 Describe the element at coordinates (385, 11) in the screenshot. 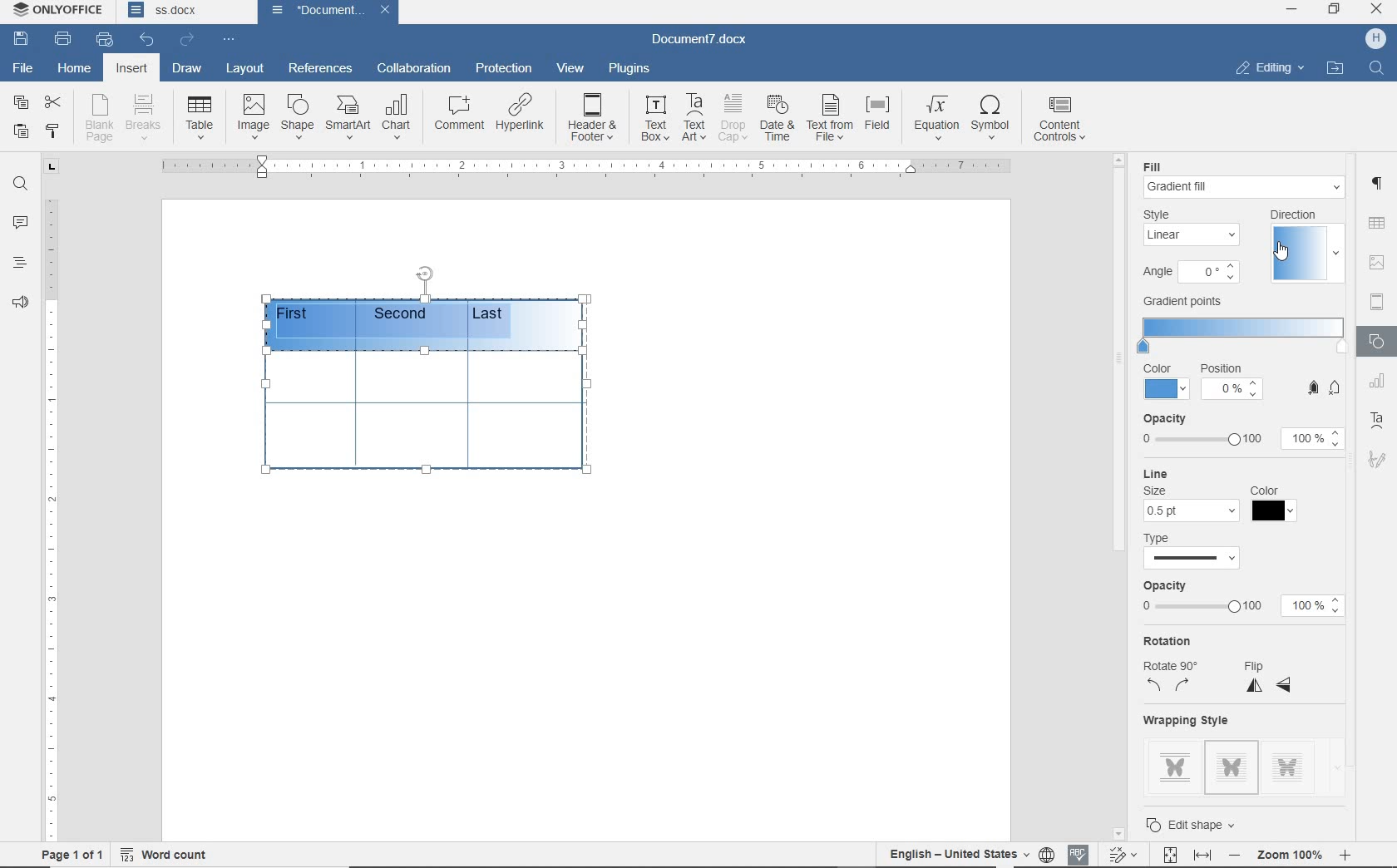

I see `close` at that location.